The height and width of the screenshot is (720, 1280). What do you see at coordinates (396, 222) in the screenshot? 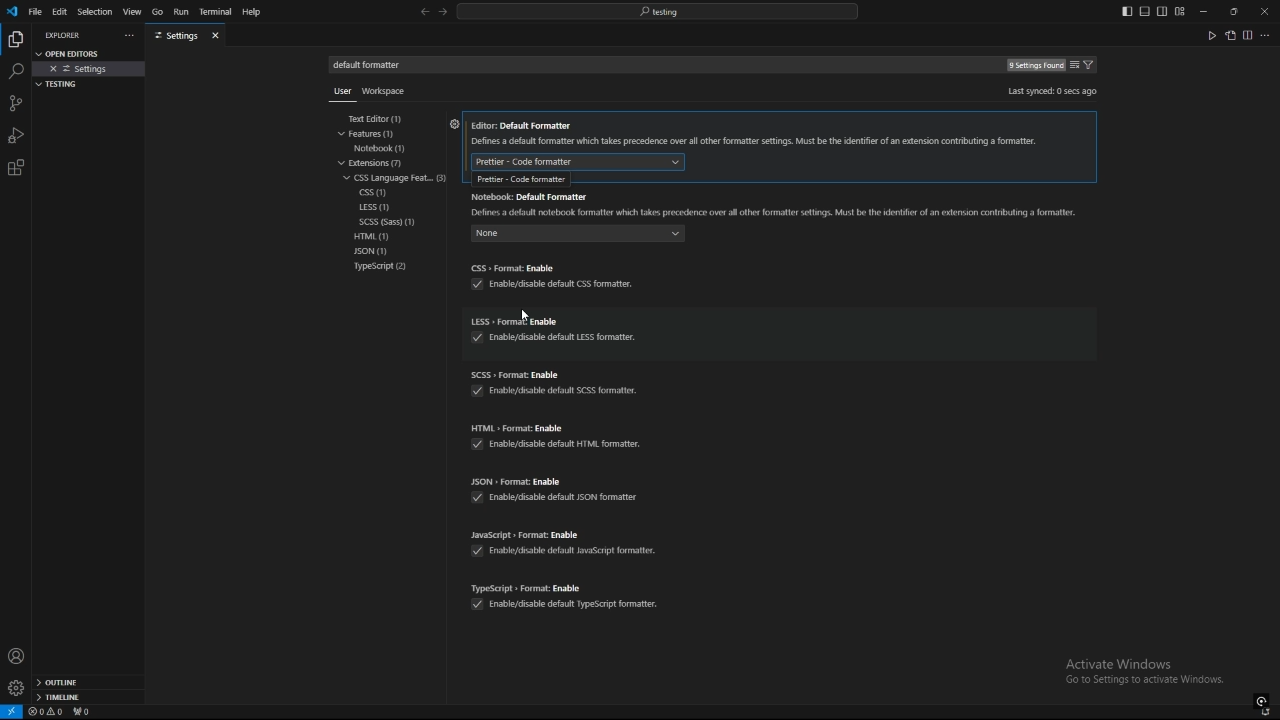
I see `scss` at bounding box center [396, 222].